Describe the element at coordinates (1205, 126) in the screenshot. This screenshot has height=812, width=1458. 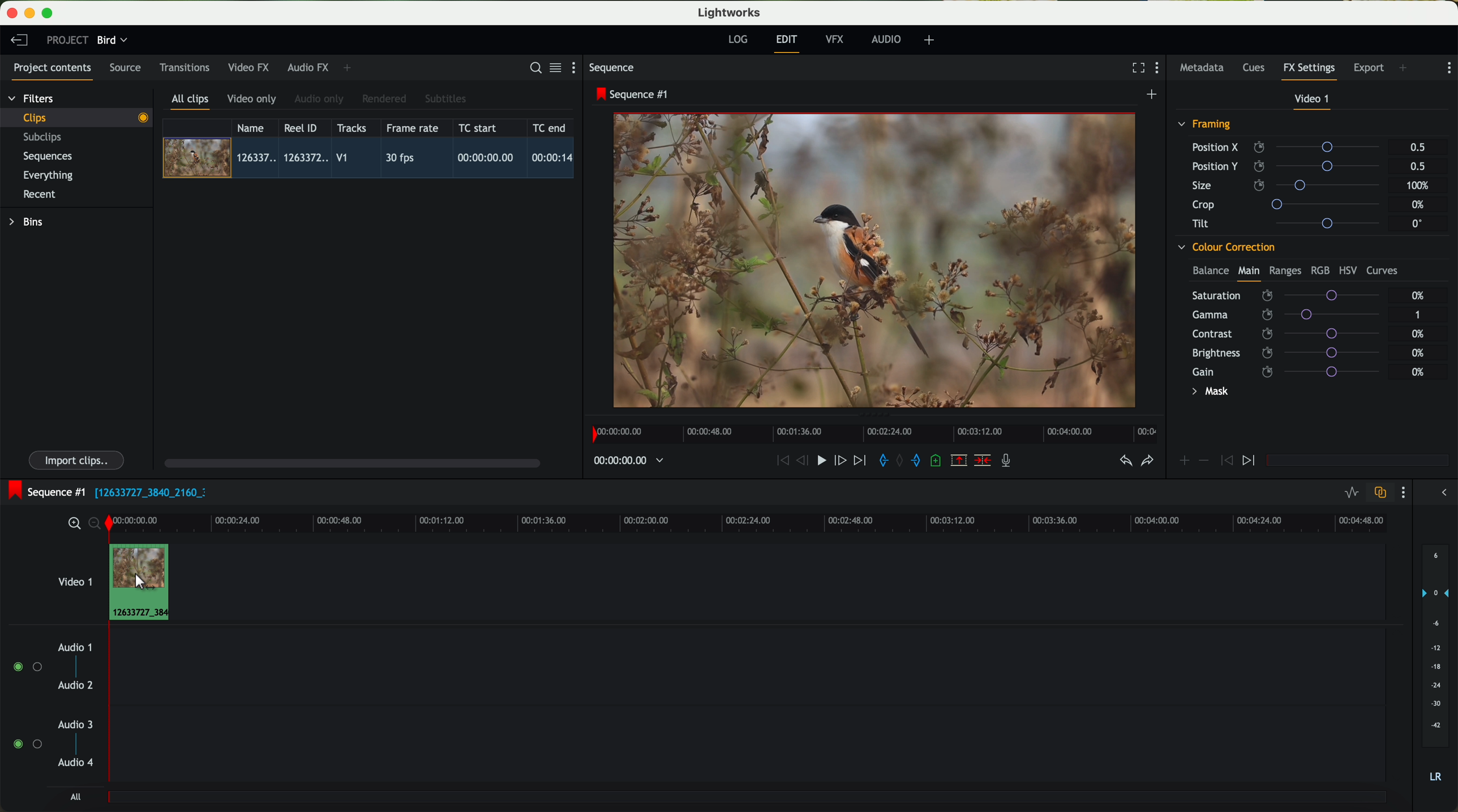
I see `framing` at that location.